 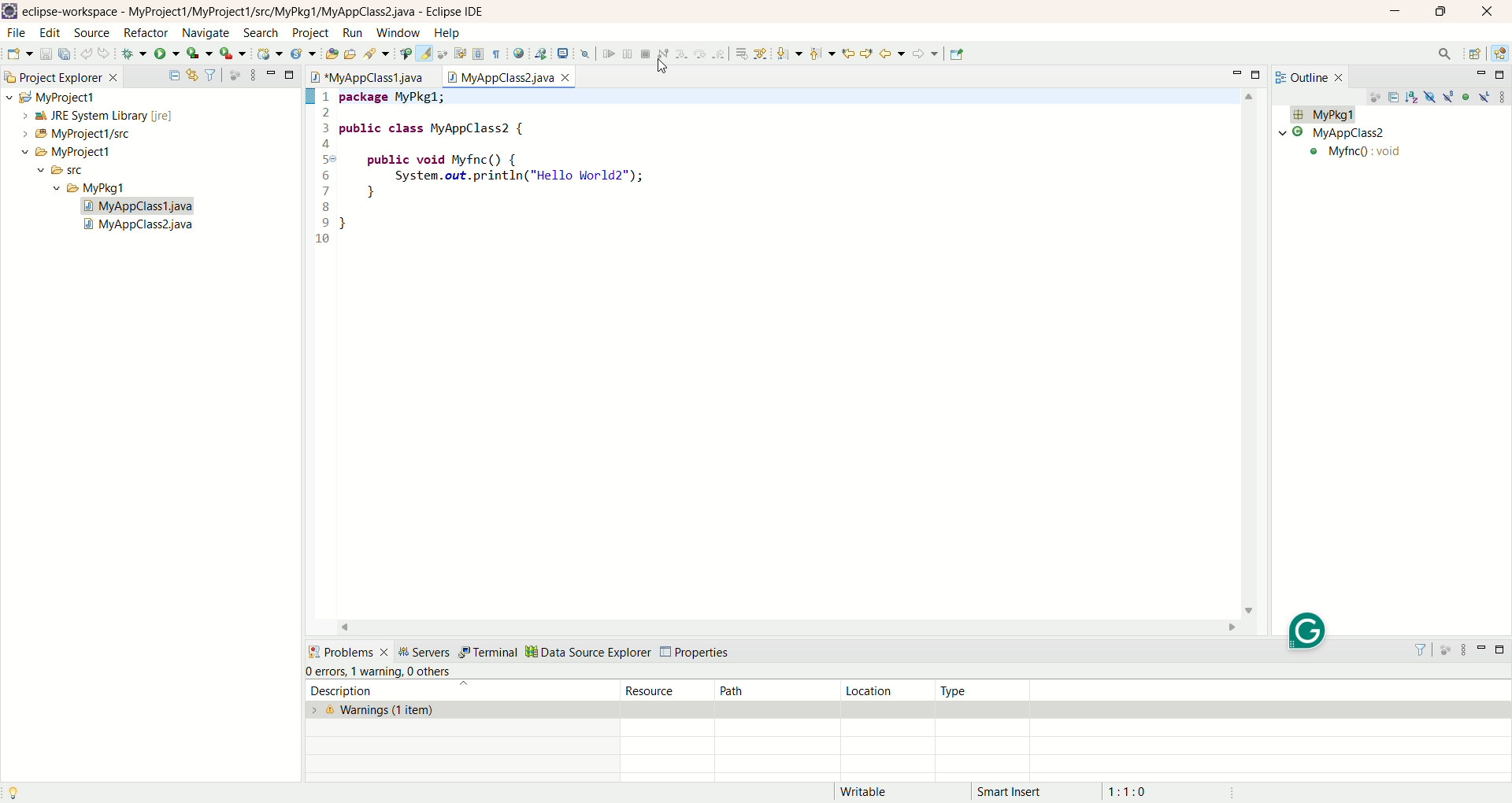 I want to click on resource, so click(x=669, y=690).